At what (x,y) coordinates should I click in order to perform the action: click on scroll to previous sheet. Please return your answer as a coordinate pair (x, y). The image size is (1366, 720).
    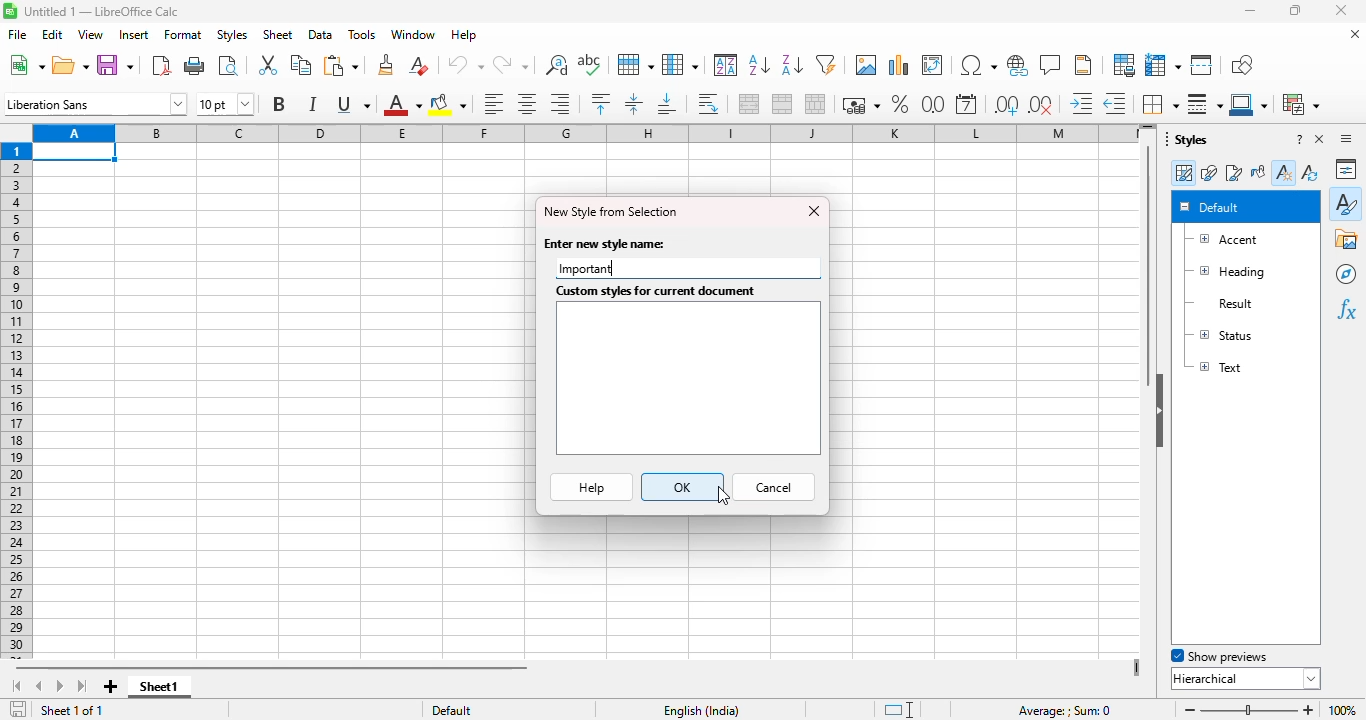
    Looking at the image, I should click on (38, 687).